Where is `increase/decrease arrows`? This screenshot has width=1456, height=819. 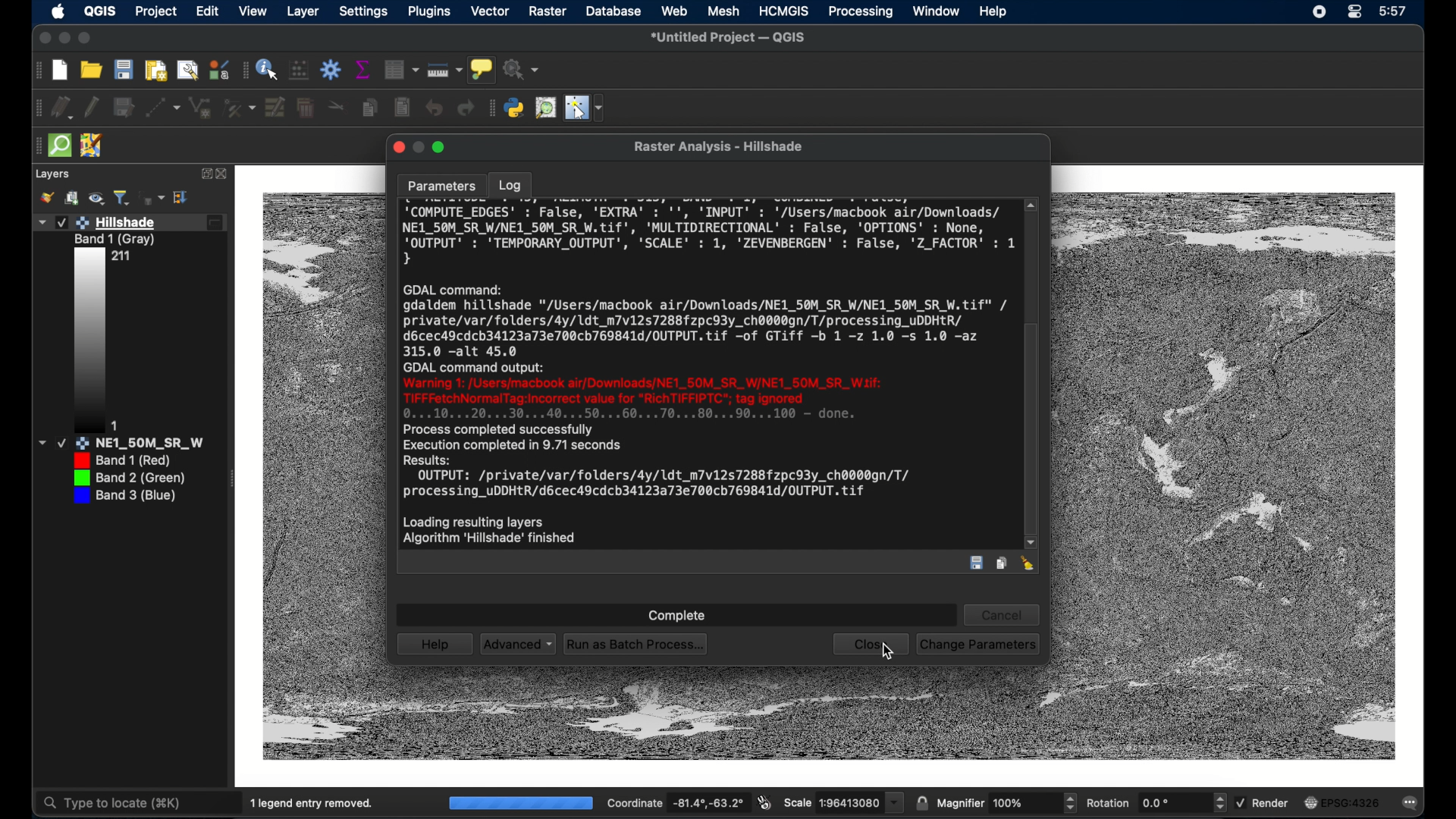
increase/decrease arrows is located at coordinates (1222, 804).